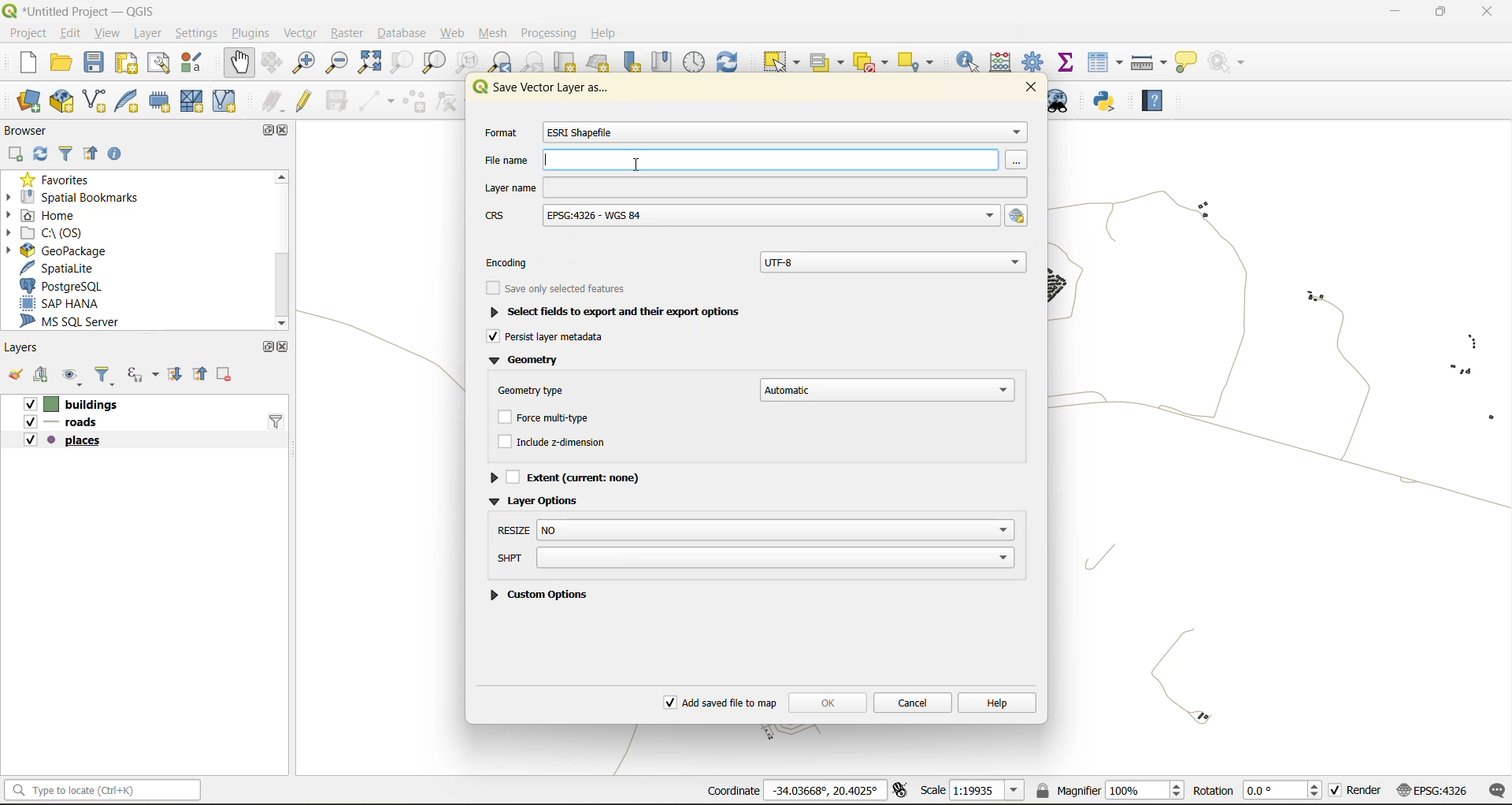 This screenshot has width=1512, height=805. Describe the element at coordinates (339, 99) in the screenshot. I see `save edits` at that location.